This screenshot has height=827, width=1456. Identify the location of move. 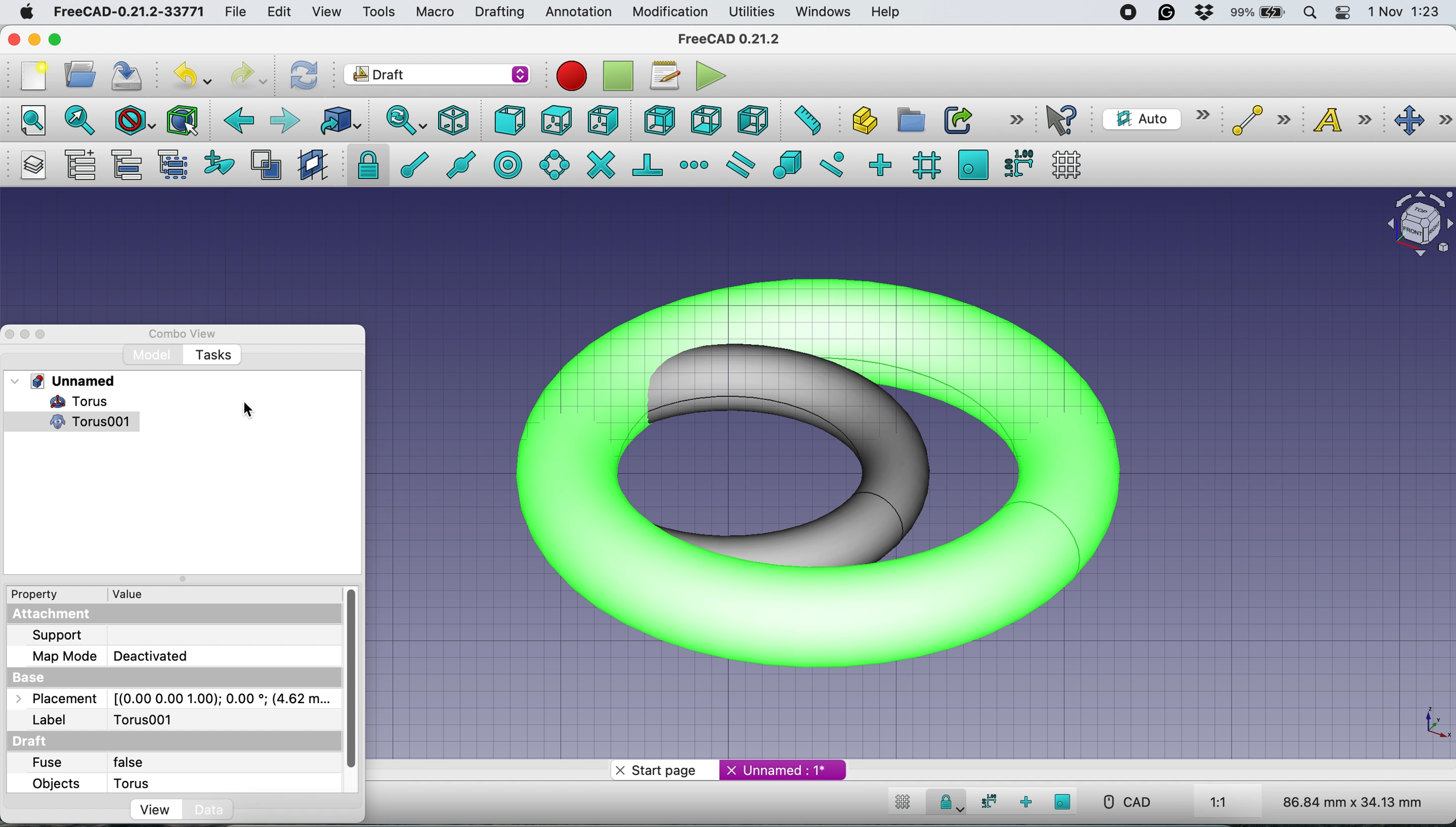
(1422, 121).